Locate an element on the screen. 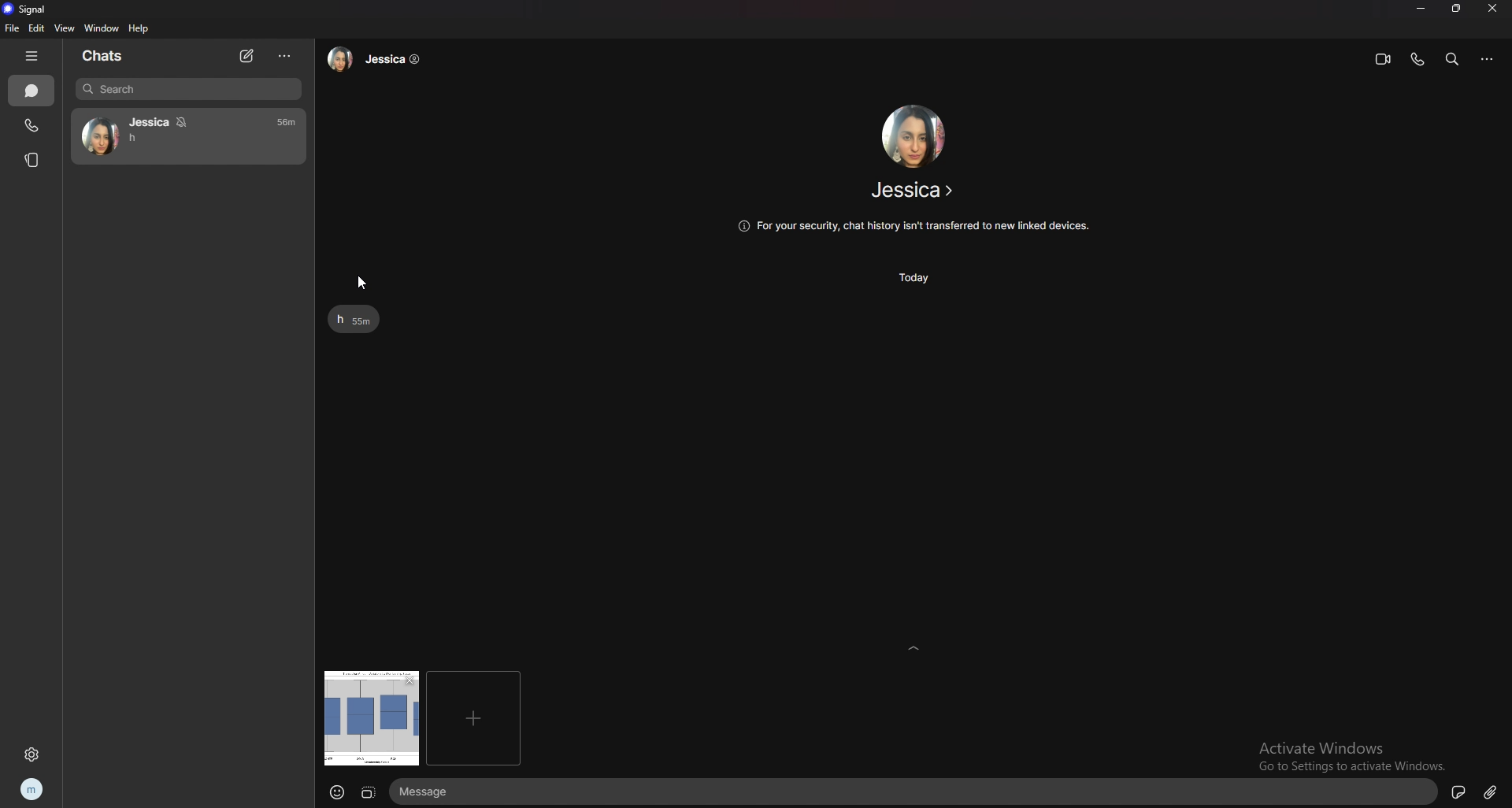  cursor is located at coordinates (359, 280).